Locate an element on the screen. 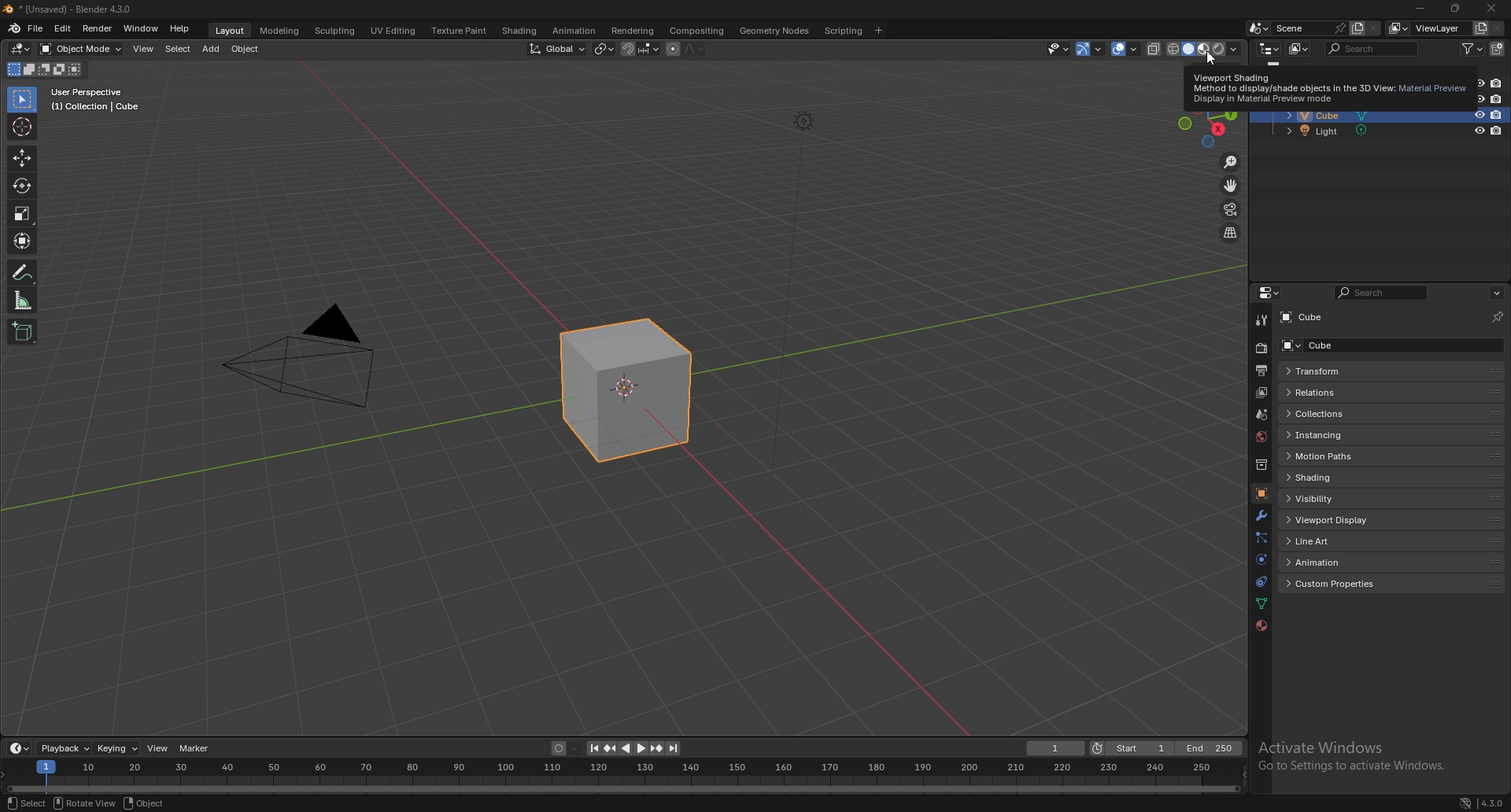 This screenshot has height=812, width=1511. hide in viewport is located at coordinates (1479, 114).